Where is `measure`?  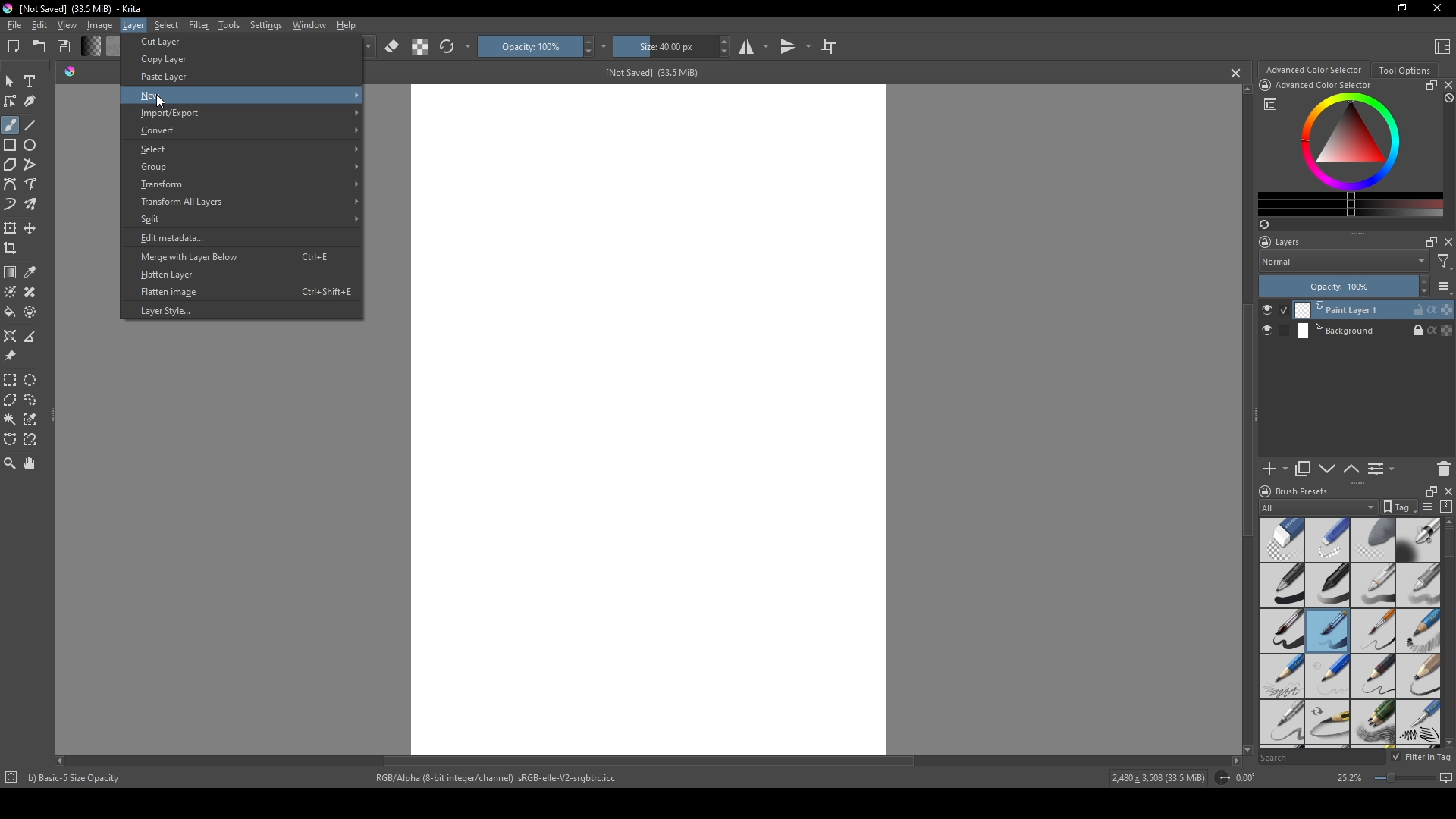
measure is located at coordinates (33, 337).